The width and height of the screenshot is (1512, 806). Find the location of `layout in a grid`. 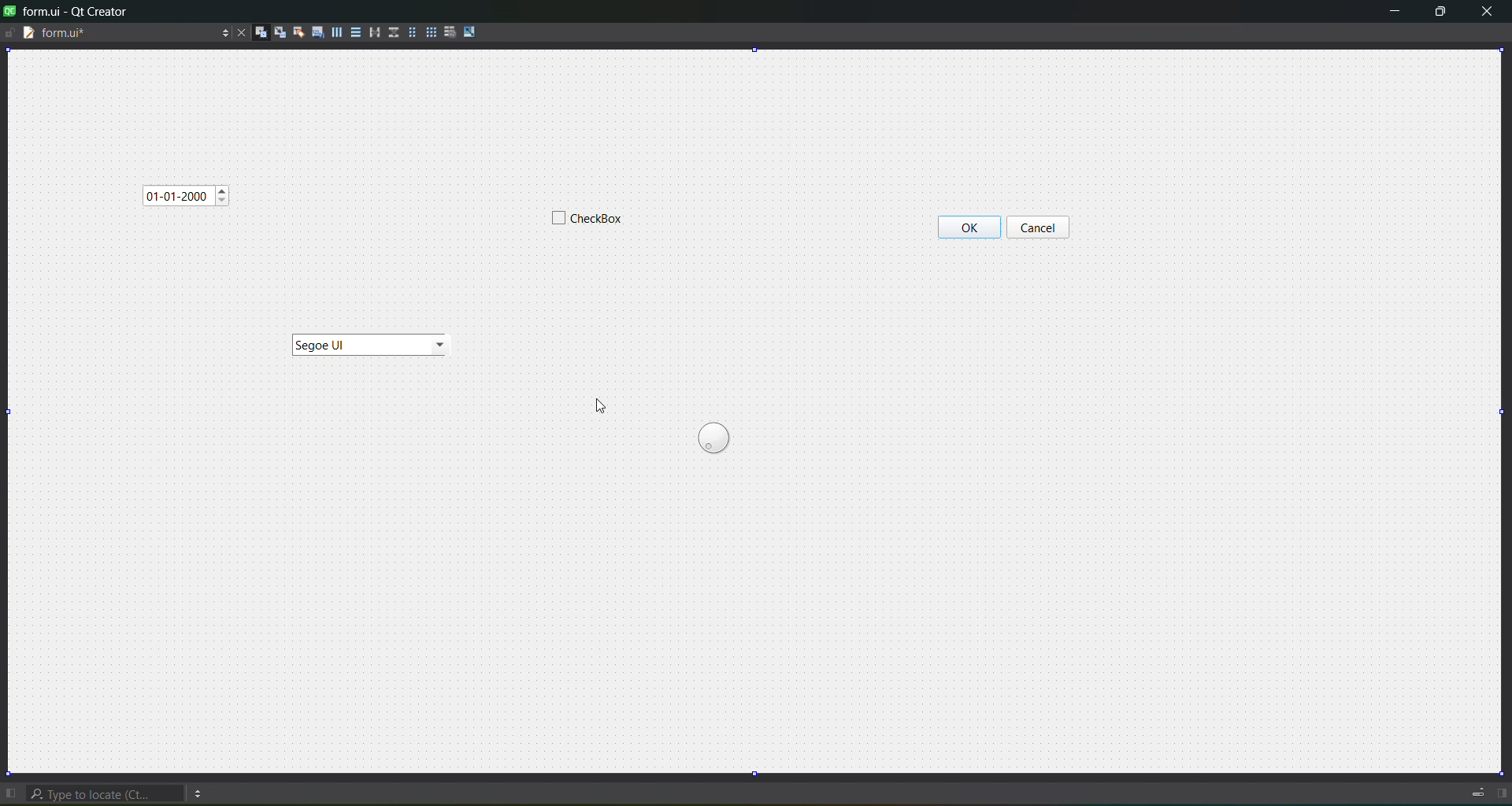

layout in a grid is located at coordinates (429, 32).